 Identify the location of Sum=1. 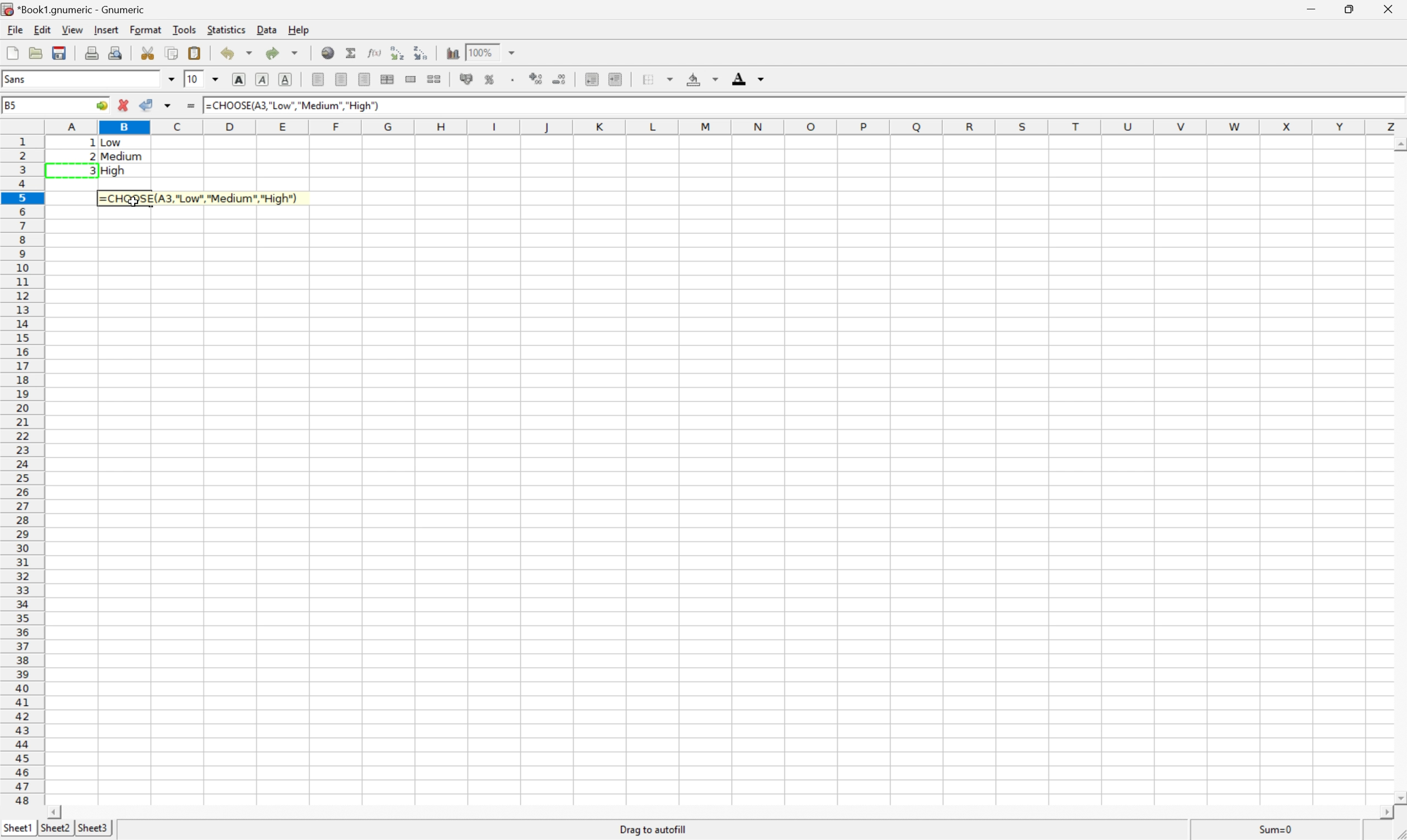
(1275, 829).